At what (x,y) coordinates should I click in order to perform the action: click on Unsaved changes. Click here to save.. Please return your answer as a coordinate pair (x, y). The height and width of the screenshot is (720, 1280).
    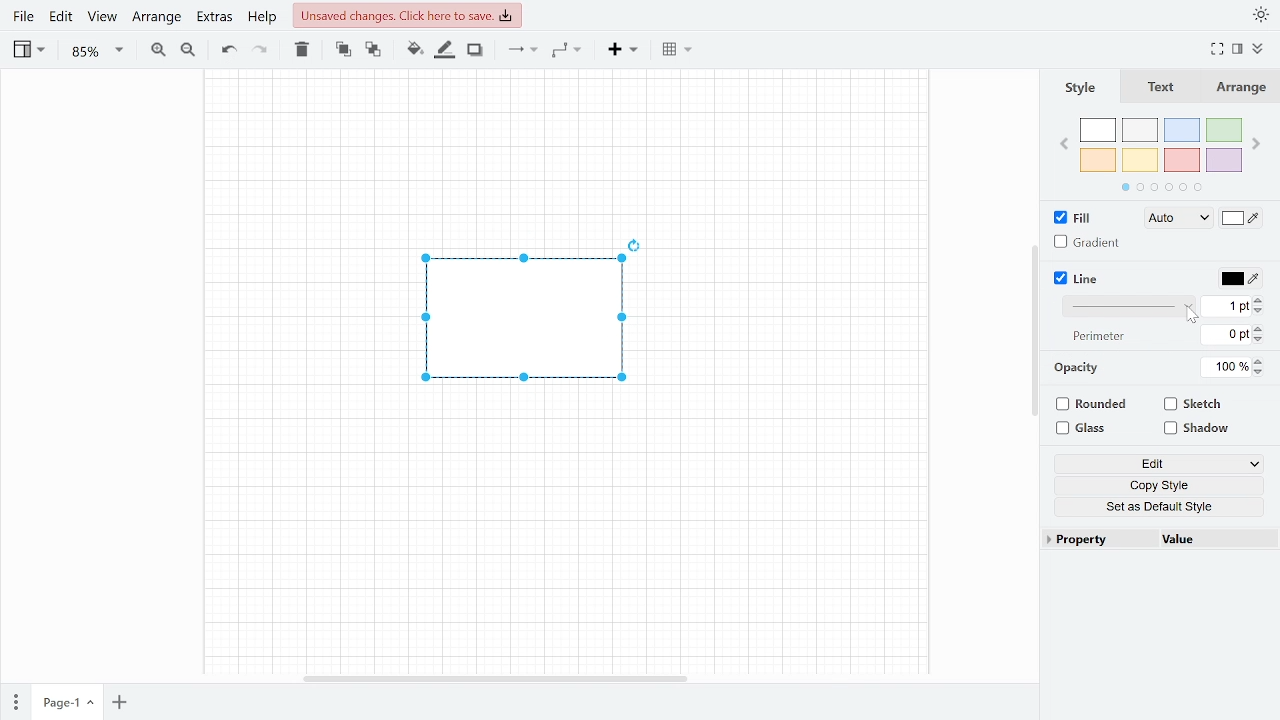
    Looking at the image, I should click on (408, 13).